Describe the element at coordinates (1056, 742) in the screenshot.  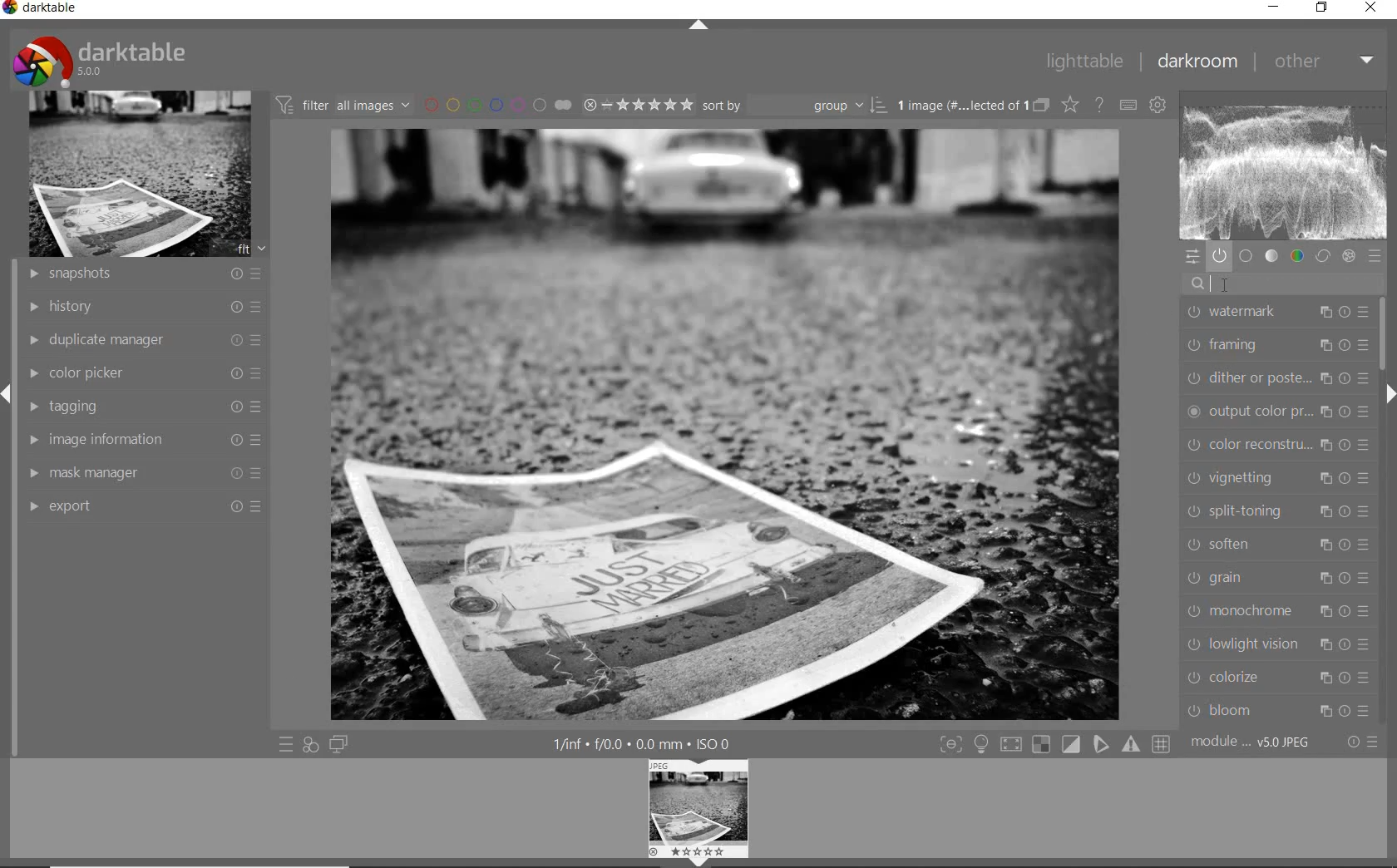
I see `toggle modes` at that location.